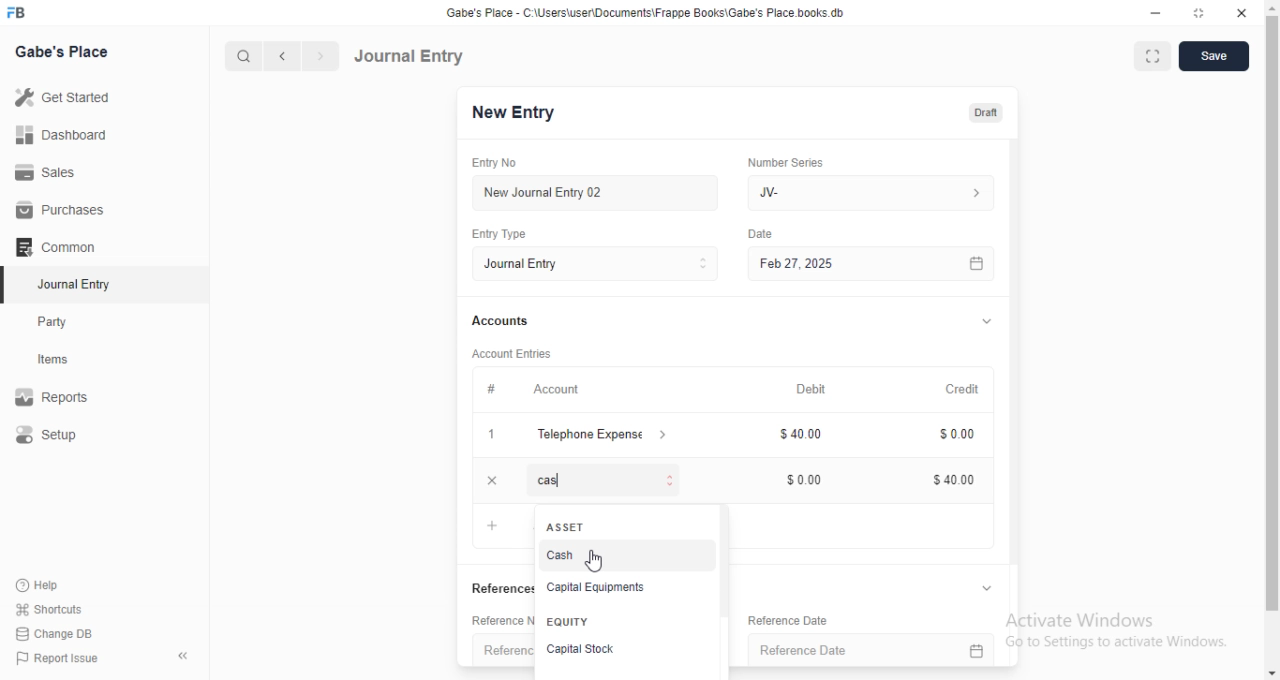  I want to click on Accounts, so click(507, 321).